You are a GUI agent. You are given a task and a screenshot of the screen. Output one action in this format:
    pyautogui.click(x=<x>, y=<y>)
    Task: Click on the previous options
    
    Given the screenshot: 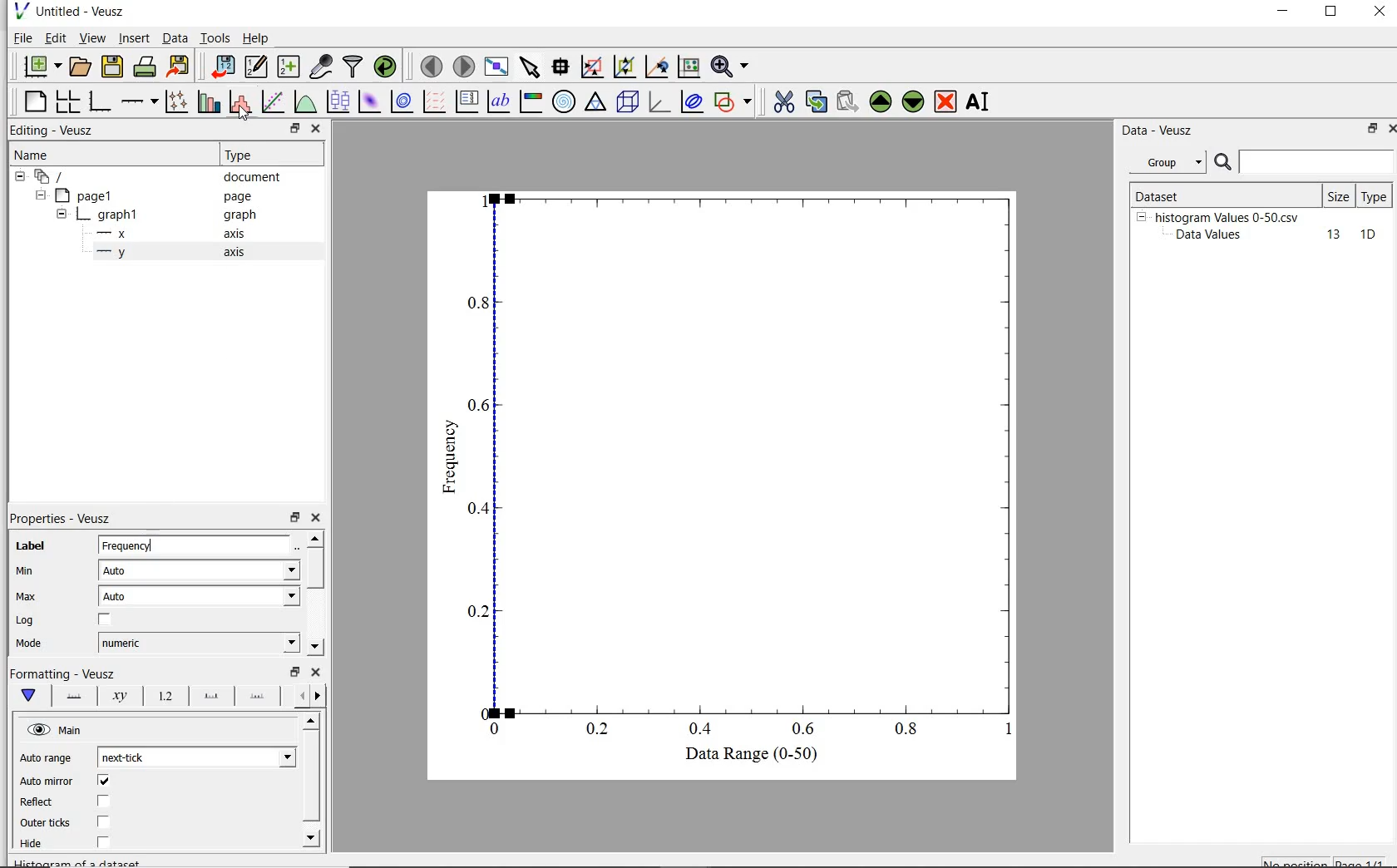 What is the action you would take?
    pyautogui.click(x=299, y=696)
    